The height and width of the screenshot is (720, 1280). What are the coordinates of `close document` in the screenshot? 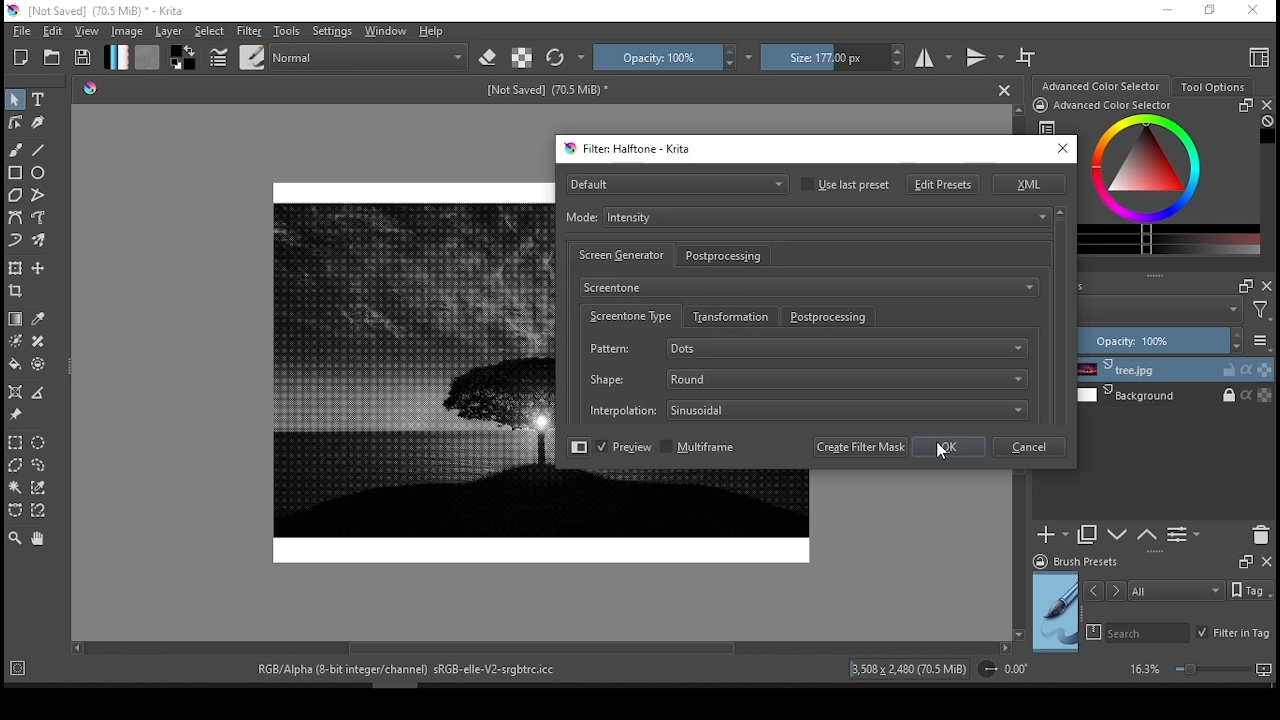 It's located at (1005, 89).